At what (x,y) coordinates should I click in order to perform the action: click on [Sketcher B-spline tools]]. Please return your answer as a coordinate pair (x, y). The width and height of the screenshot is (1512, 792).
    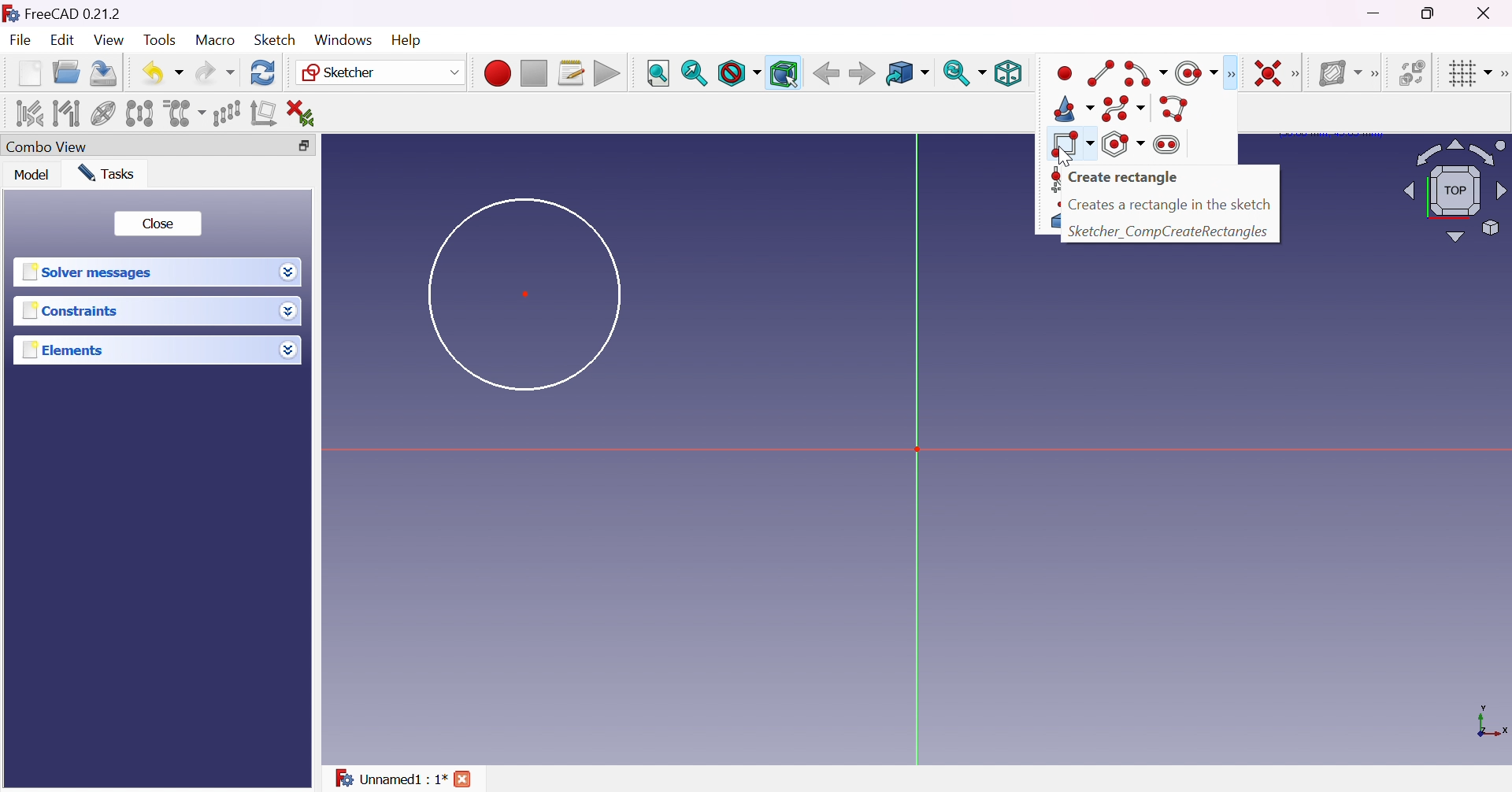
    Looking at the image, I should click on (1379, 74).